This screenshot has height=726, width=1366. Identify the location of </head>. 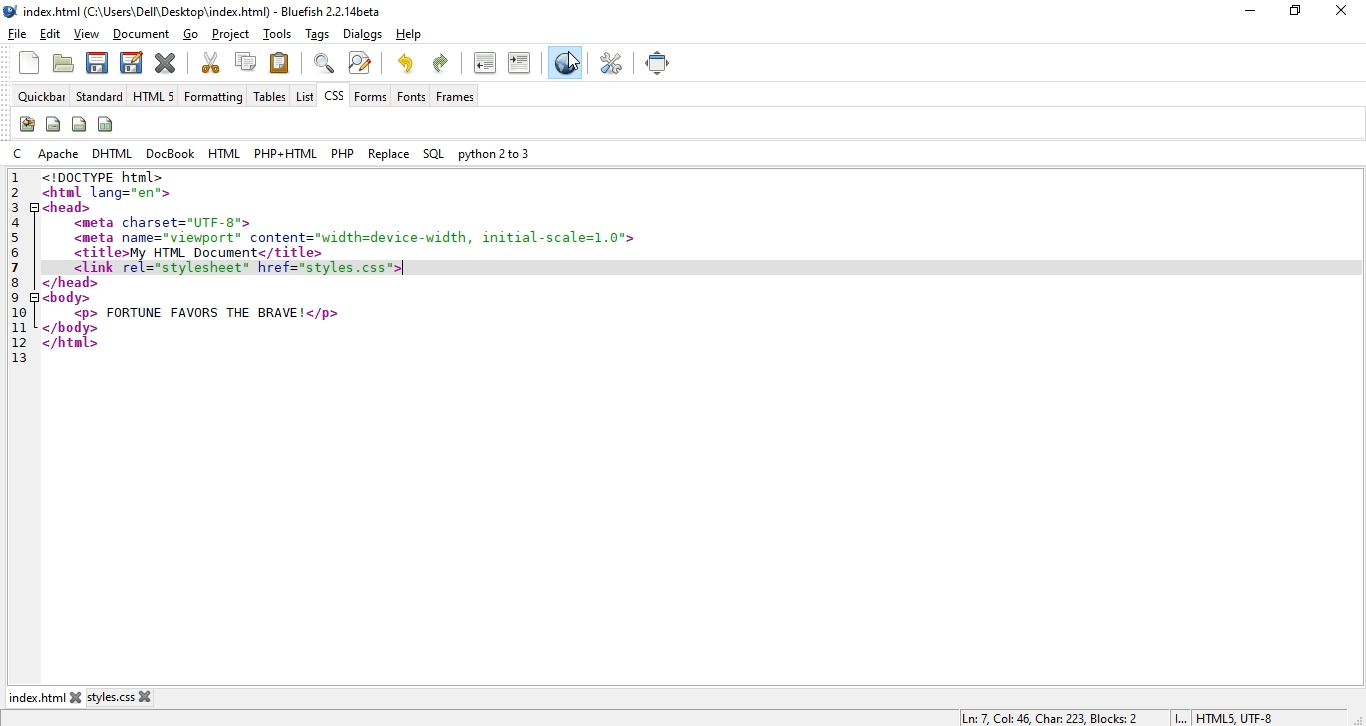
(71, 282).